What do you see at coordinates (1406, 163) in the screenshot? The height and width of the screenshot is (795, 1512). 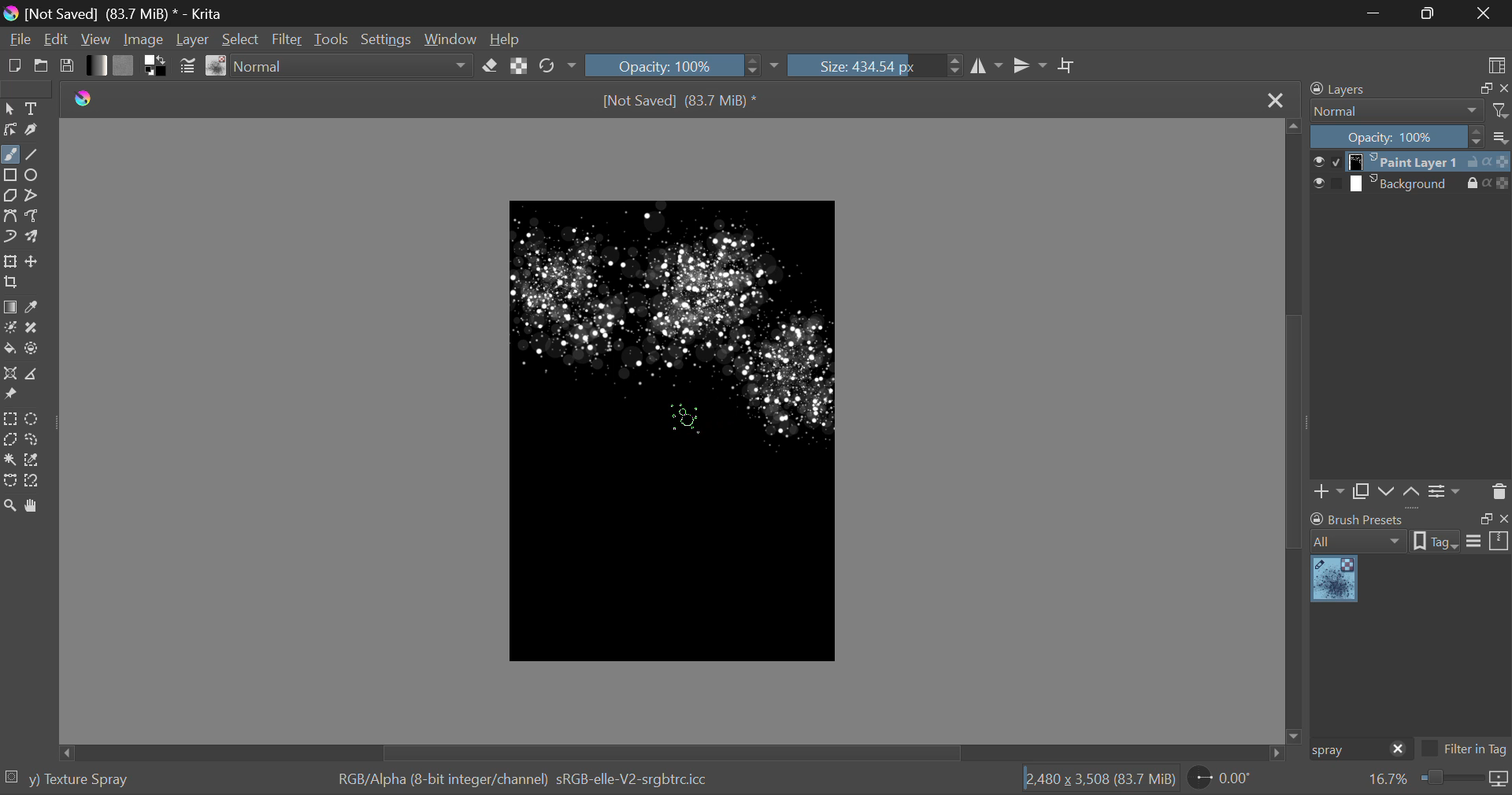 I see `layer 1` at bounding box center [1406, 163].